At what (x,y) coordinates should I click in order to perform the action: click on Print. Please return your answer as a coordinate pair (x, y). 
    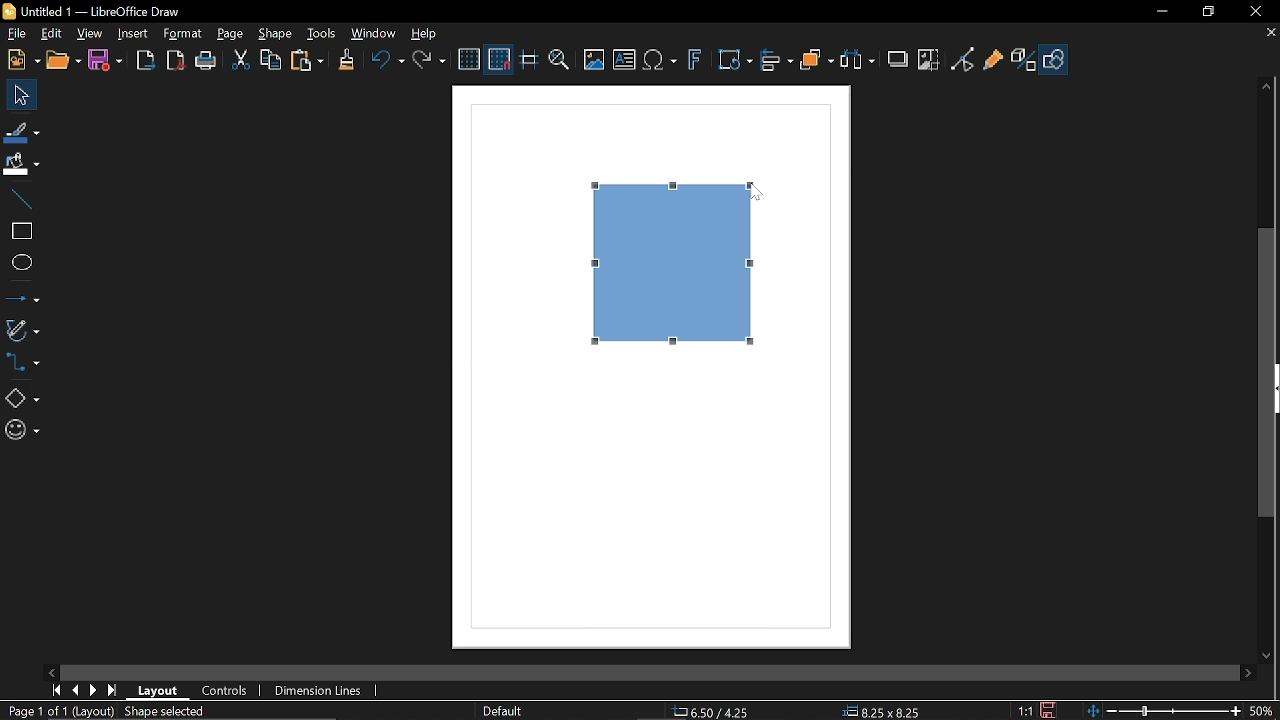
    Looking at the image, I should click on (206, 61).